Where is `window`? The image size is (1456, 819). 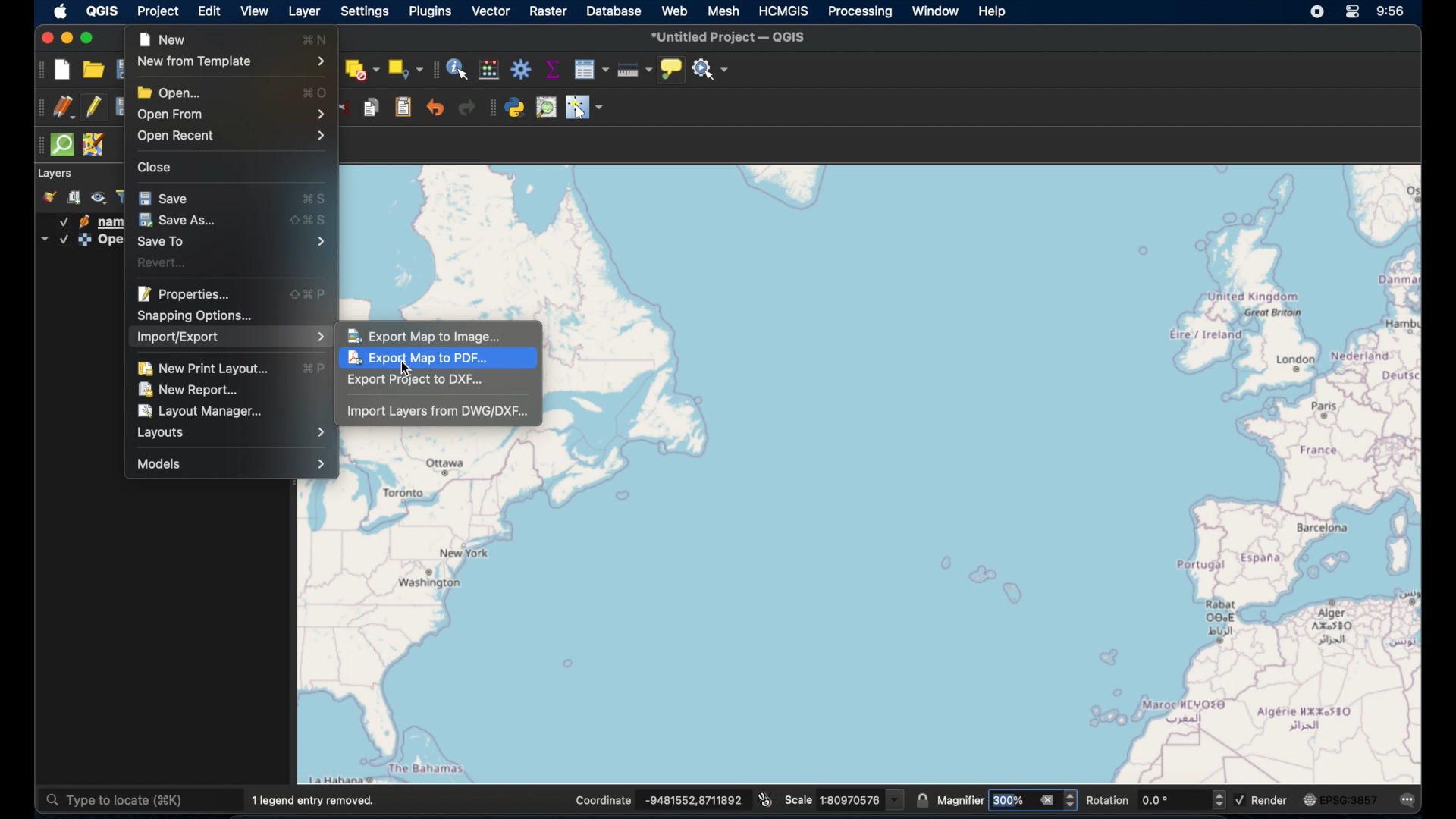
window is located at coordinates (934, 11).